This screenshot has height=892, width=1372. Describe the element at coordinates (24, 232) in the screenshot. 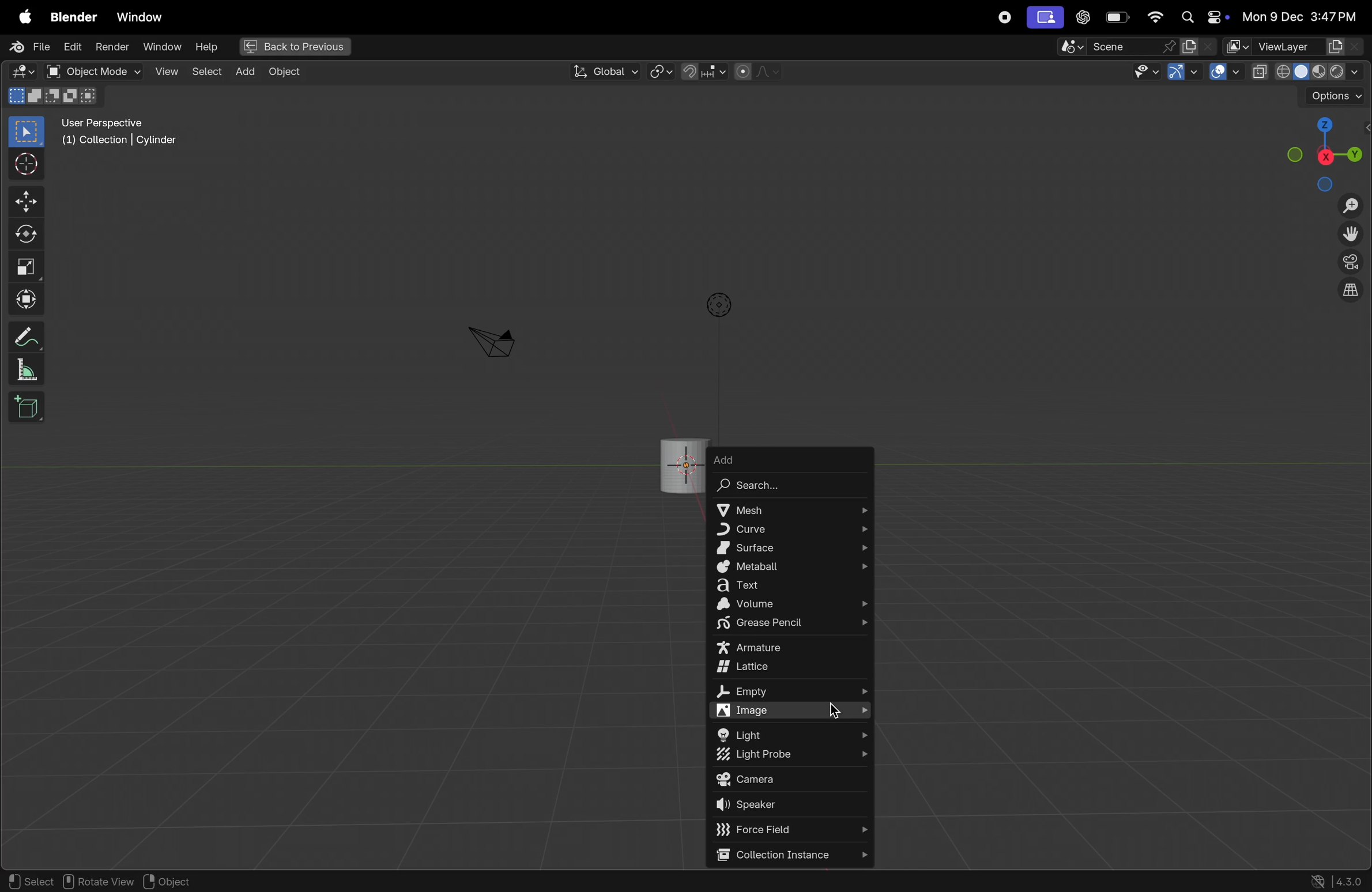

I see `rotate` at that location.